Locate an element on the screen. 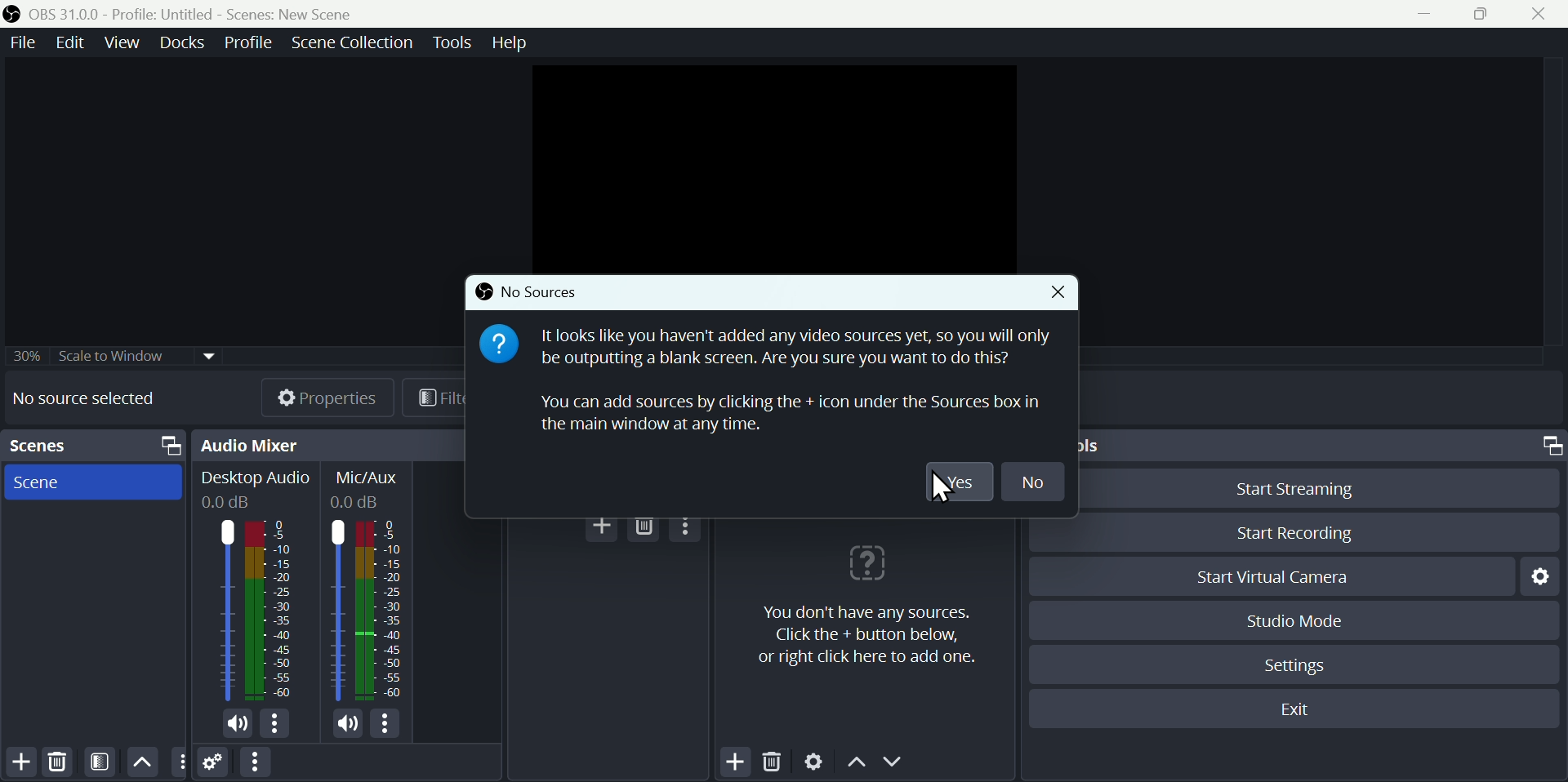 The image size is (1568, 782). Help is located at coordinates (506, 47).